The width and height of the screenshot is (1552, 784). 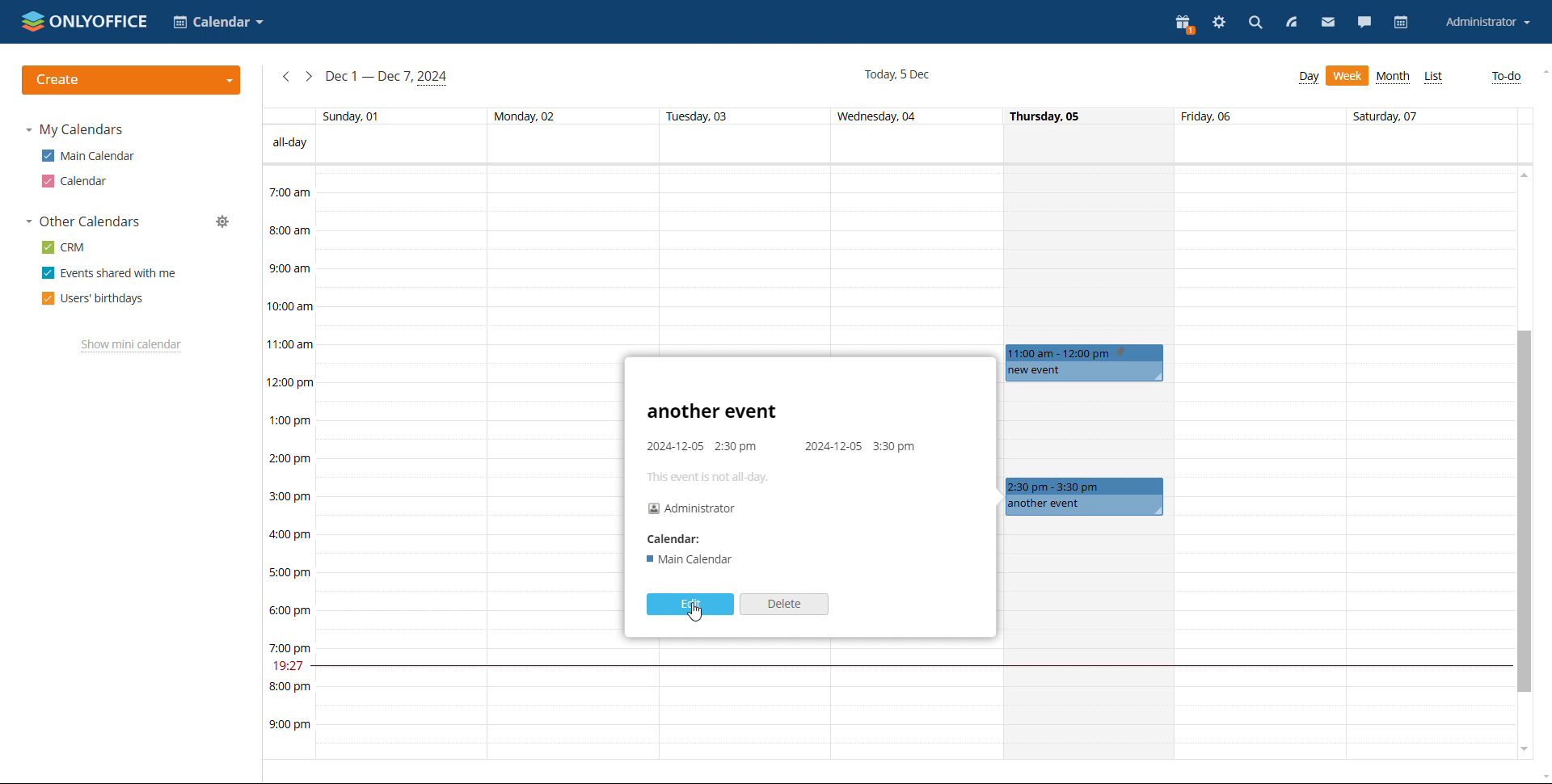 What do you see at coordinates (673, 540) in the screenshot?
I see `Calendar:` at bounding box center [673, 540].